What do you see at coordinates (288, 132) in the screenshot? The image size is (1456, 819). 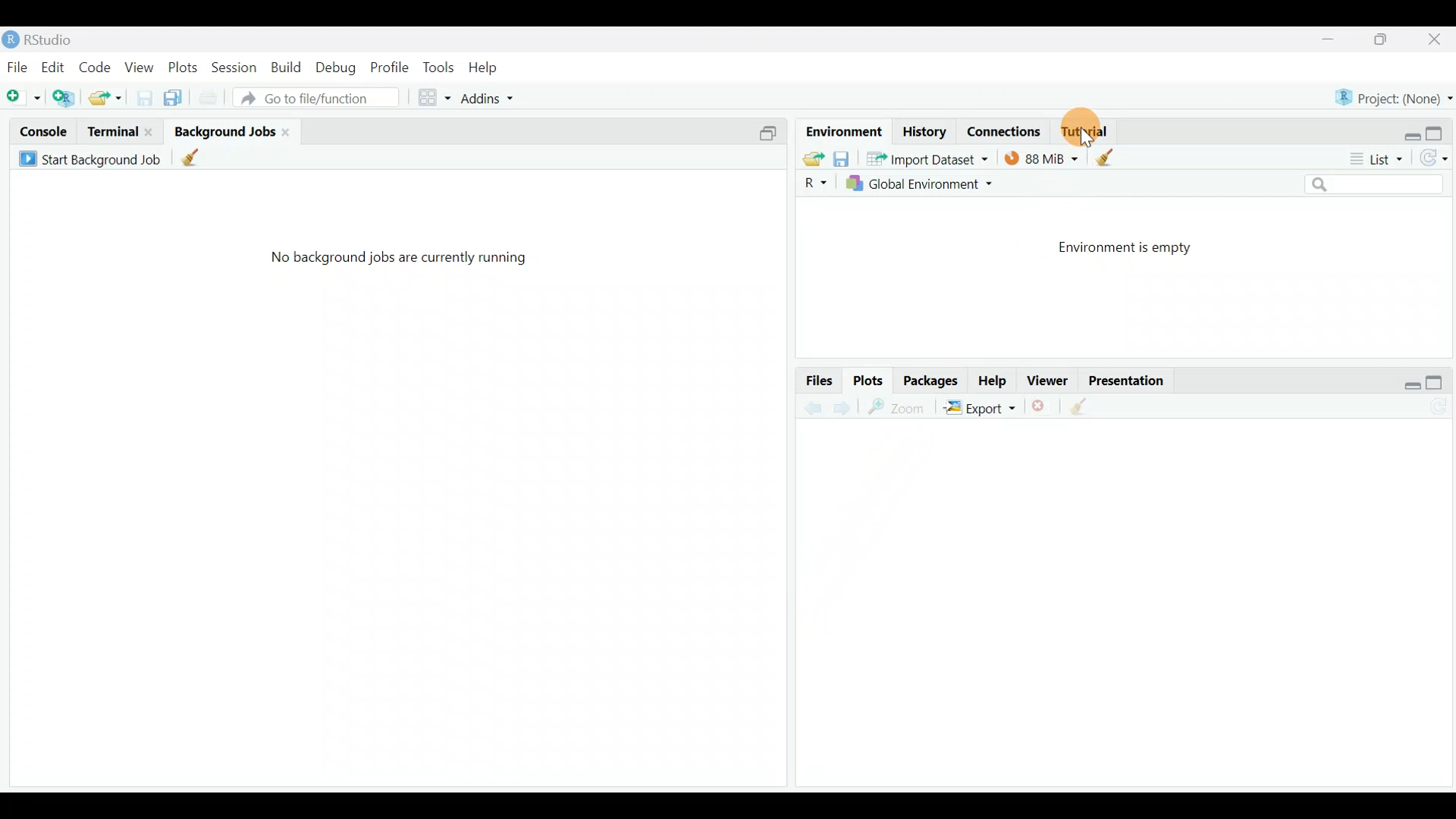 I see `close` at bounding box center [288, 132].